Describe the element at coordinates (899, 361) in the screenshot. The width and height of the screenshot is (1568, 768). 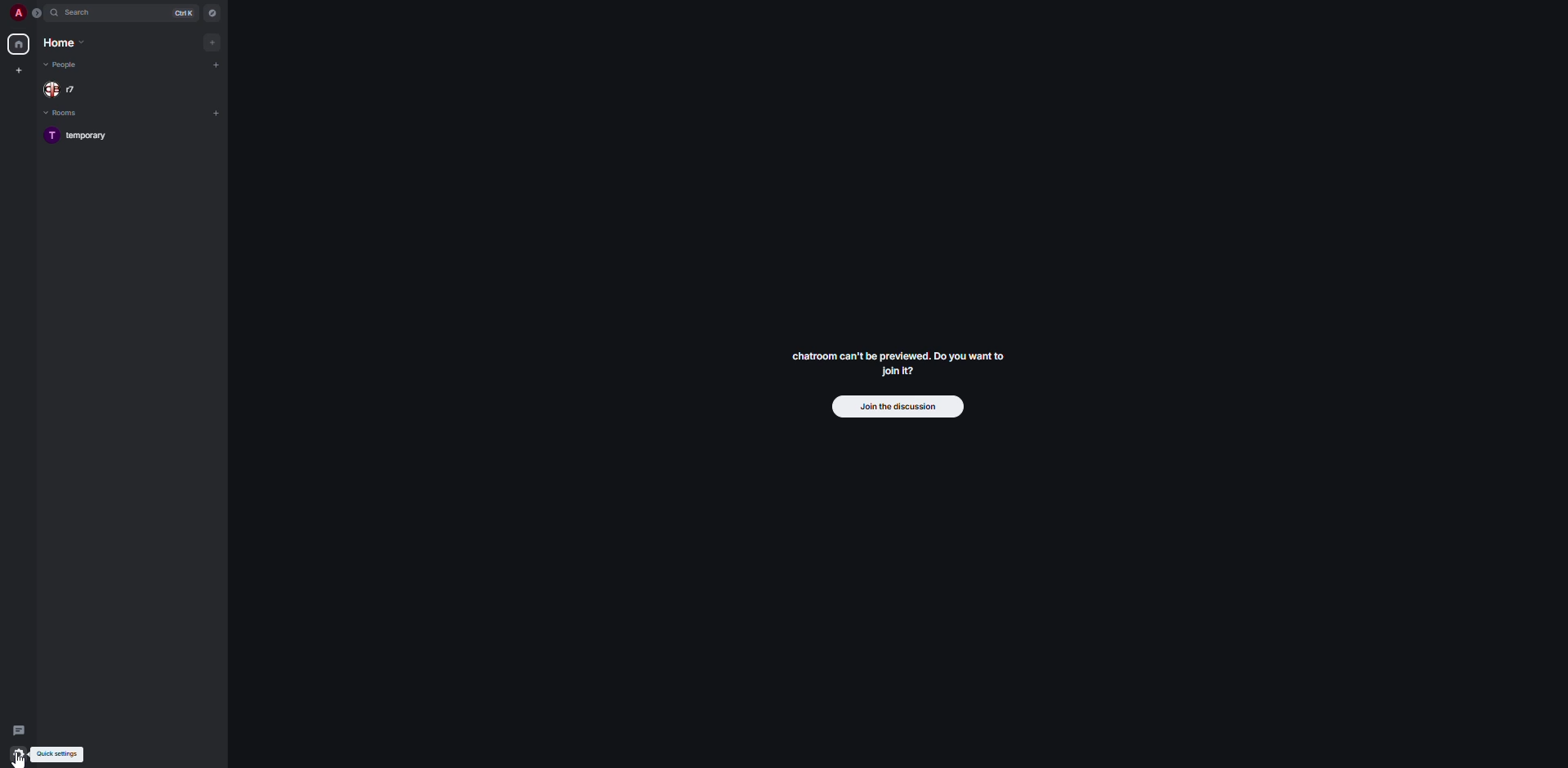
I see `join chatroom` at that location.